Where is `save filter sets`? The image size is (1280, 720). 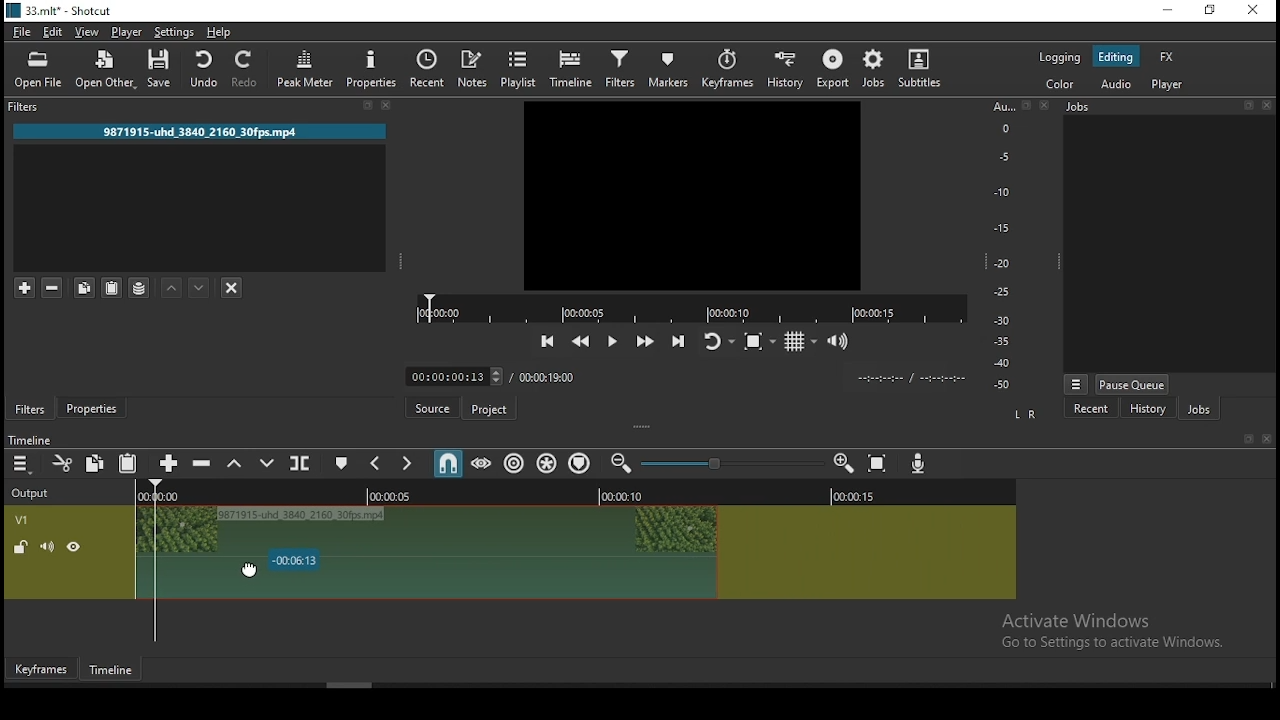
save filter sets is located at coordinates (141, 286).